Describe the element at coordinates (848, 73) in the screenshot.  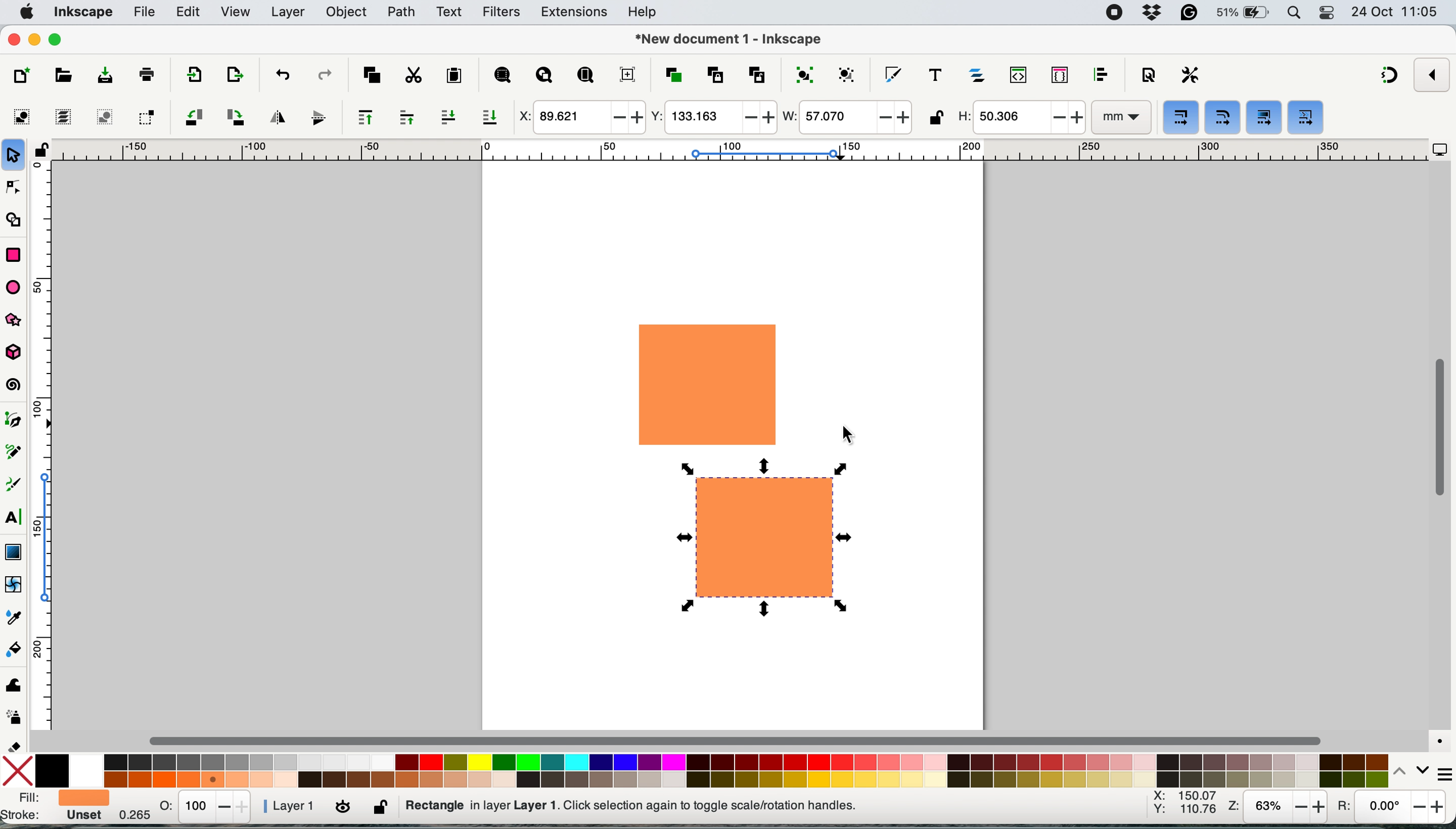
I see `ungroup` at that location.